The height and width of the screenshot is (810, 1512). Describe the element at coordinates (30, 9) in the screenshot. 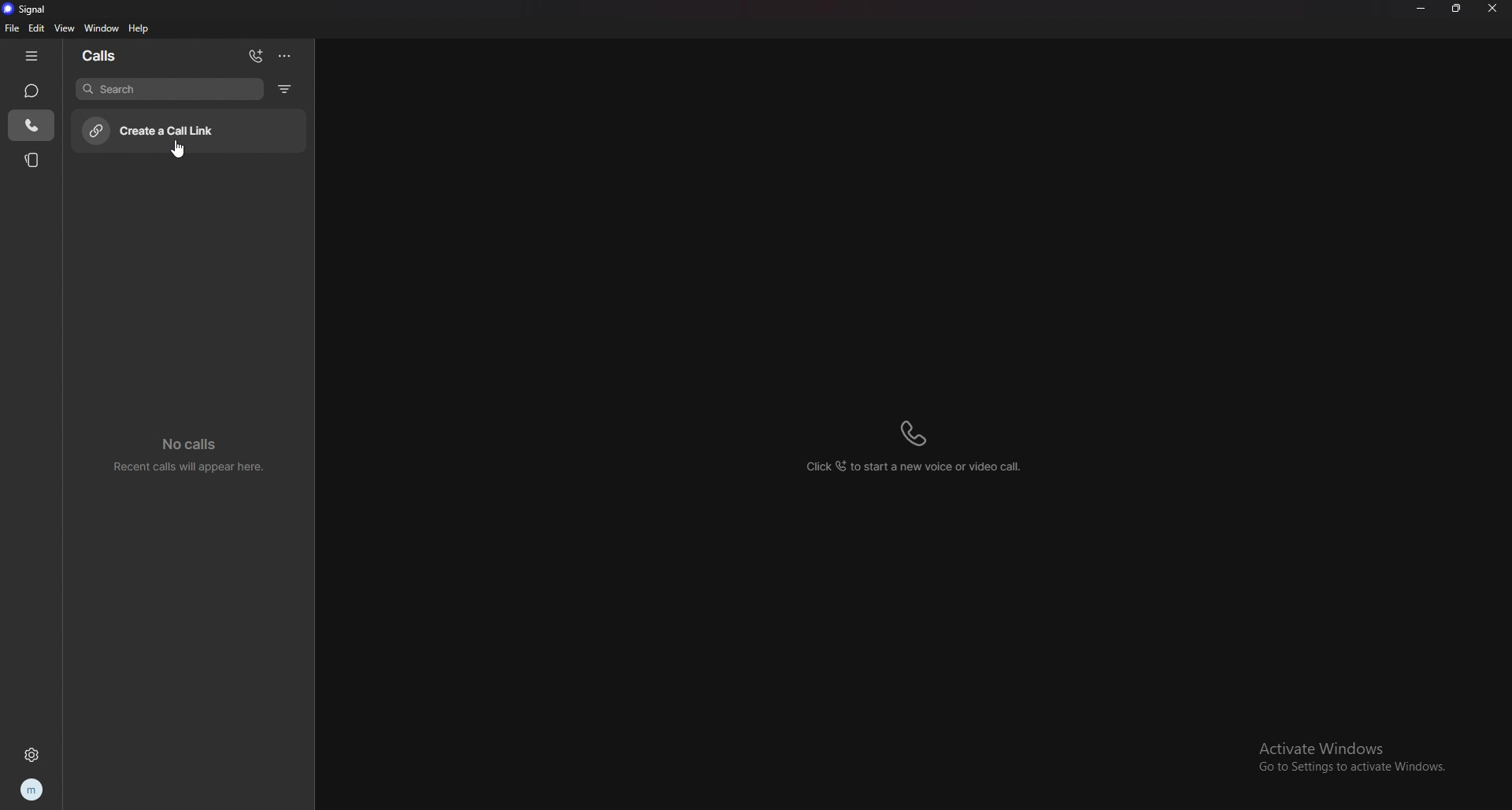

I see `signal` at that location.